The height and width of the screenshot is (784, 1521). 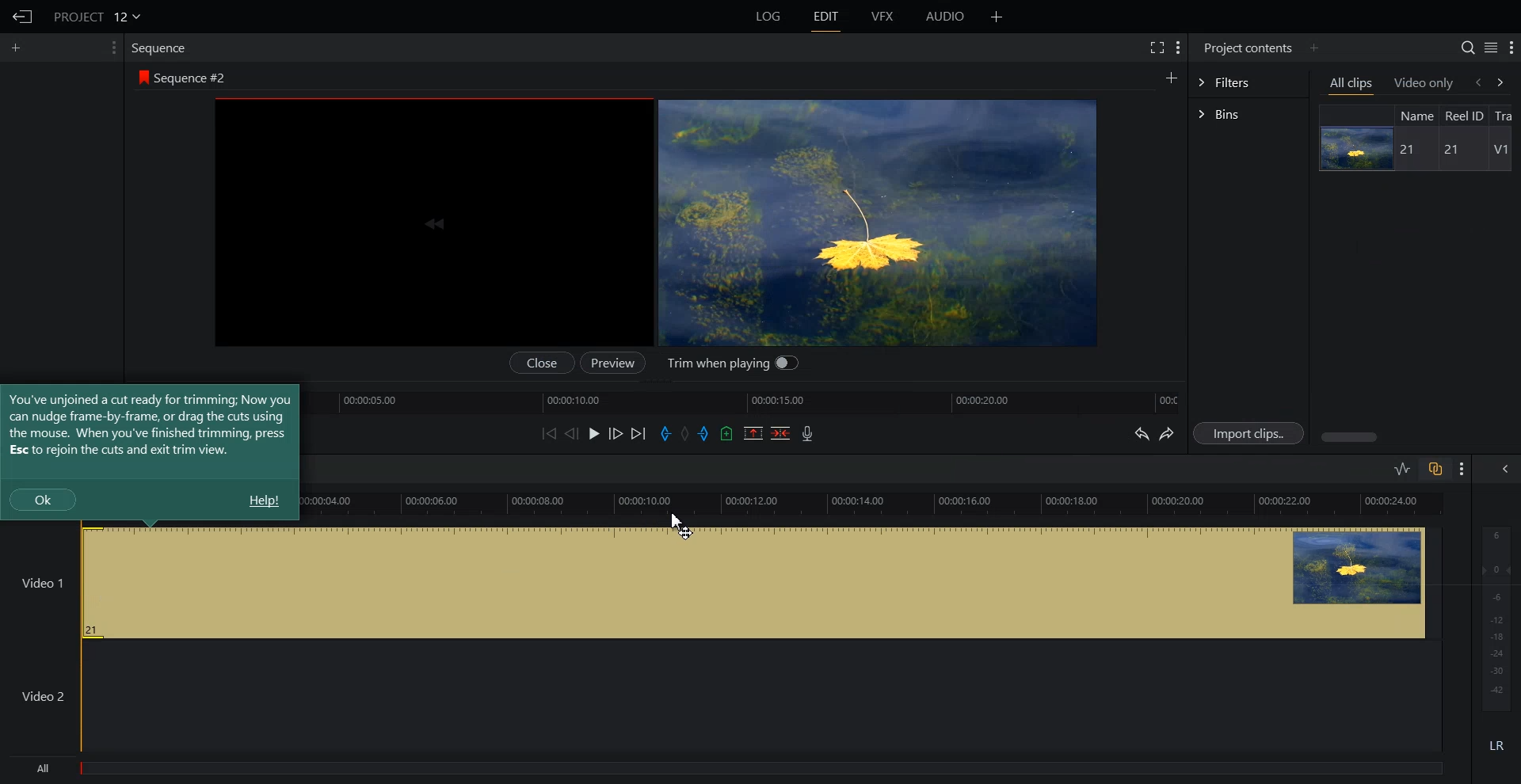 I want to click on LR, so click(x=1494, y=748).